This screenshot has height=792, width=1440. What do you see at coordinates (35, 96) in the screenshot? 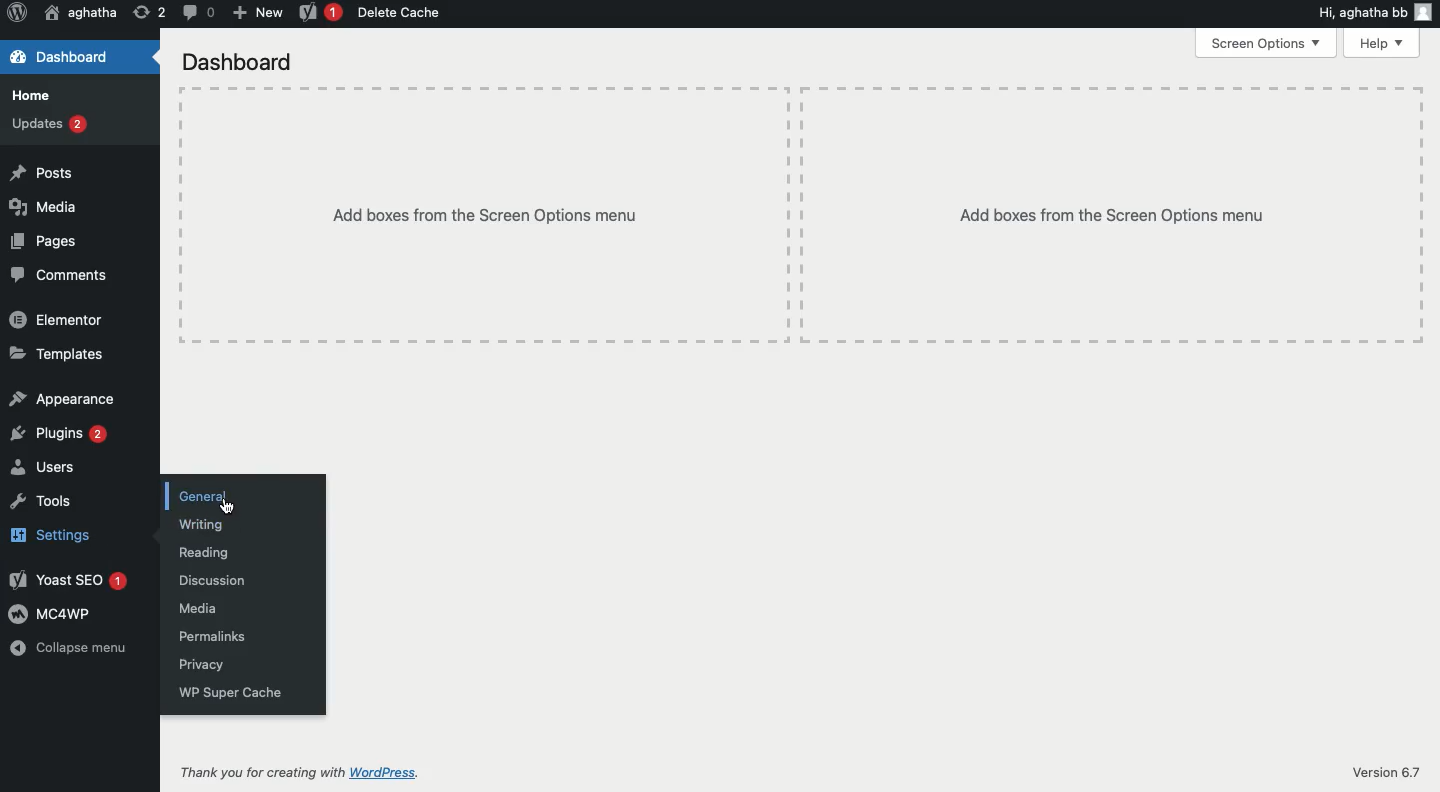
I see `Home` at bounding box center [35, 96].